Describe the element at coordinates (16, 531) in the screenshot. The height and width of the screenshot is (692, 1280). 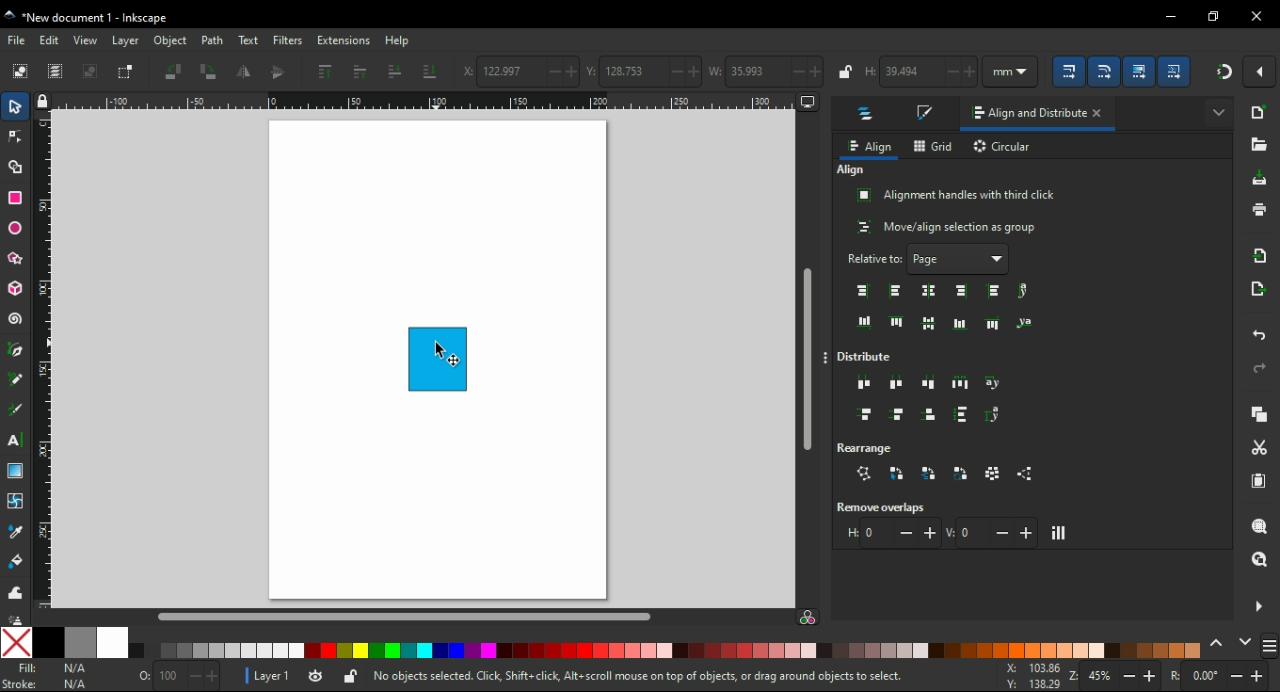
I see `dropper tool` at that location.